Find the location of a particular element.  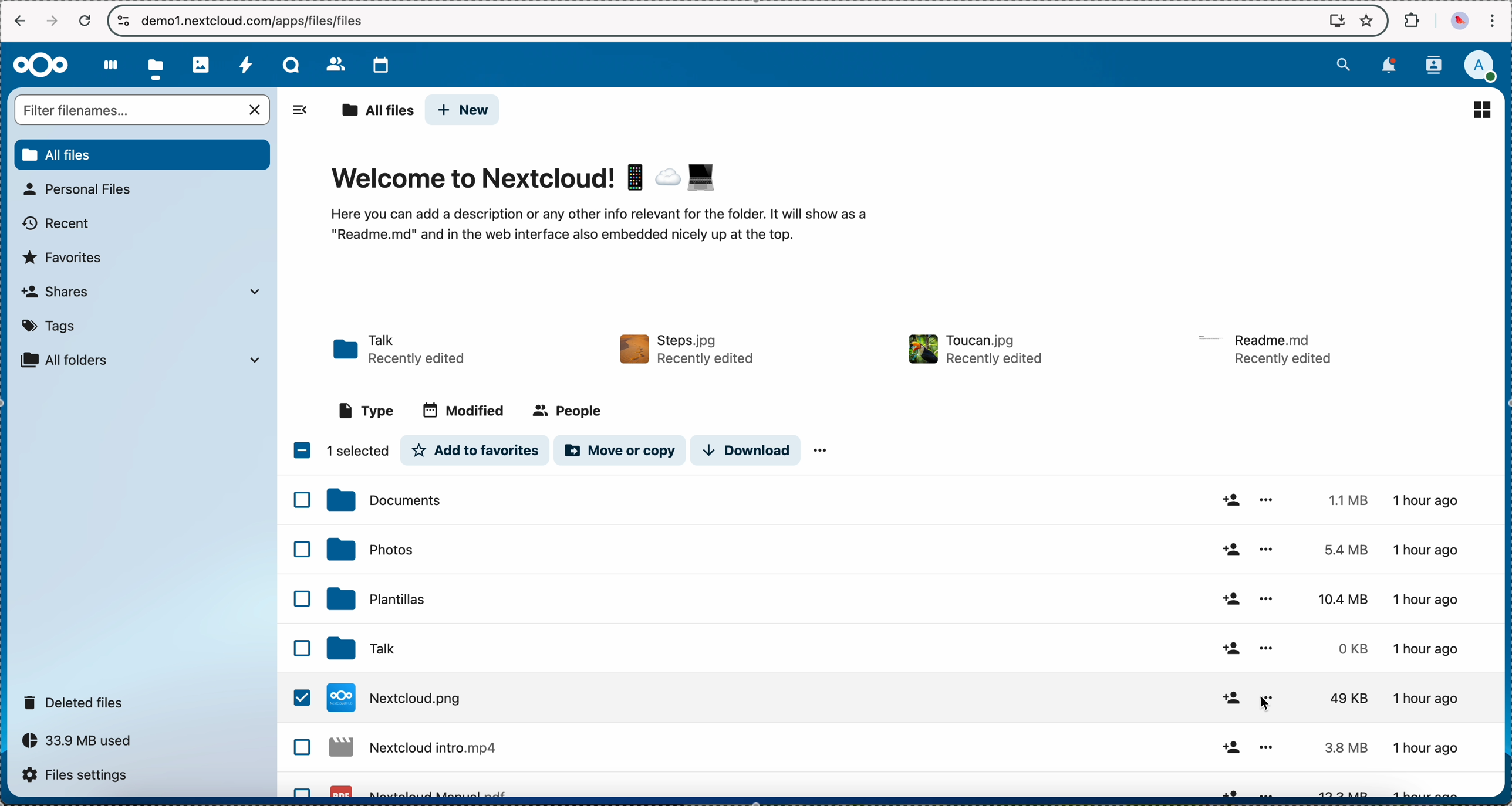

file is located at coordinates (975, 350).